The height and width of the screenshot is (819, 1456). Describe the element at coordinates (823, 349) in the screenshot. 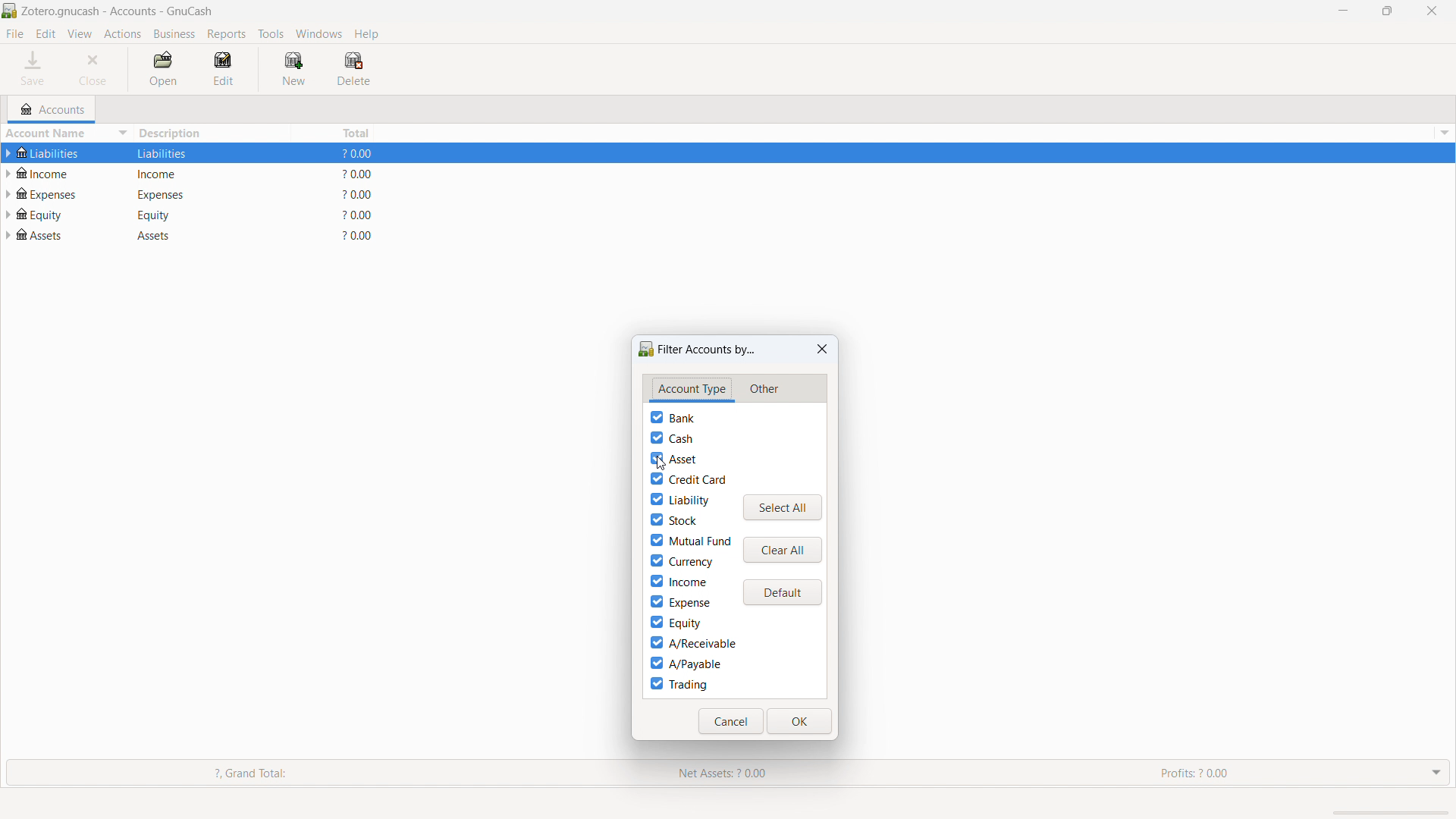

I see `close` at that location.